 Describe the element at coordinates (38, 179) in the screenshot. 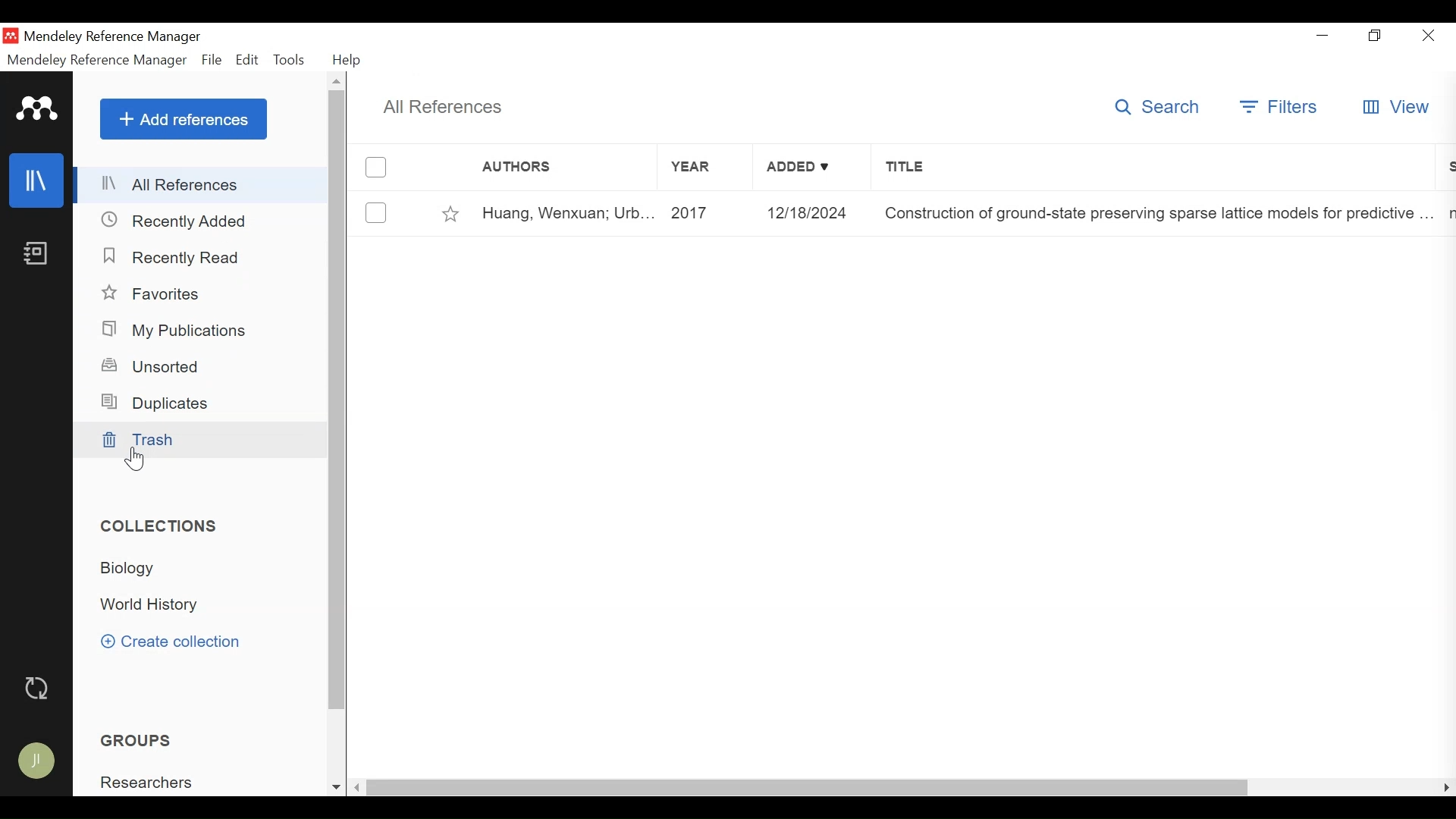

I see `Library` at that location.